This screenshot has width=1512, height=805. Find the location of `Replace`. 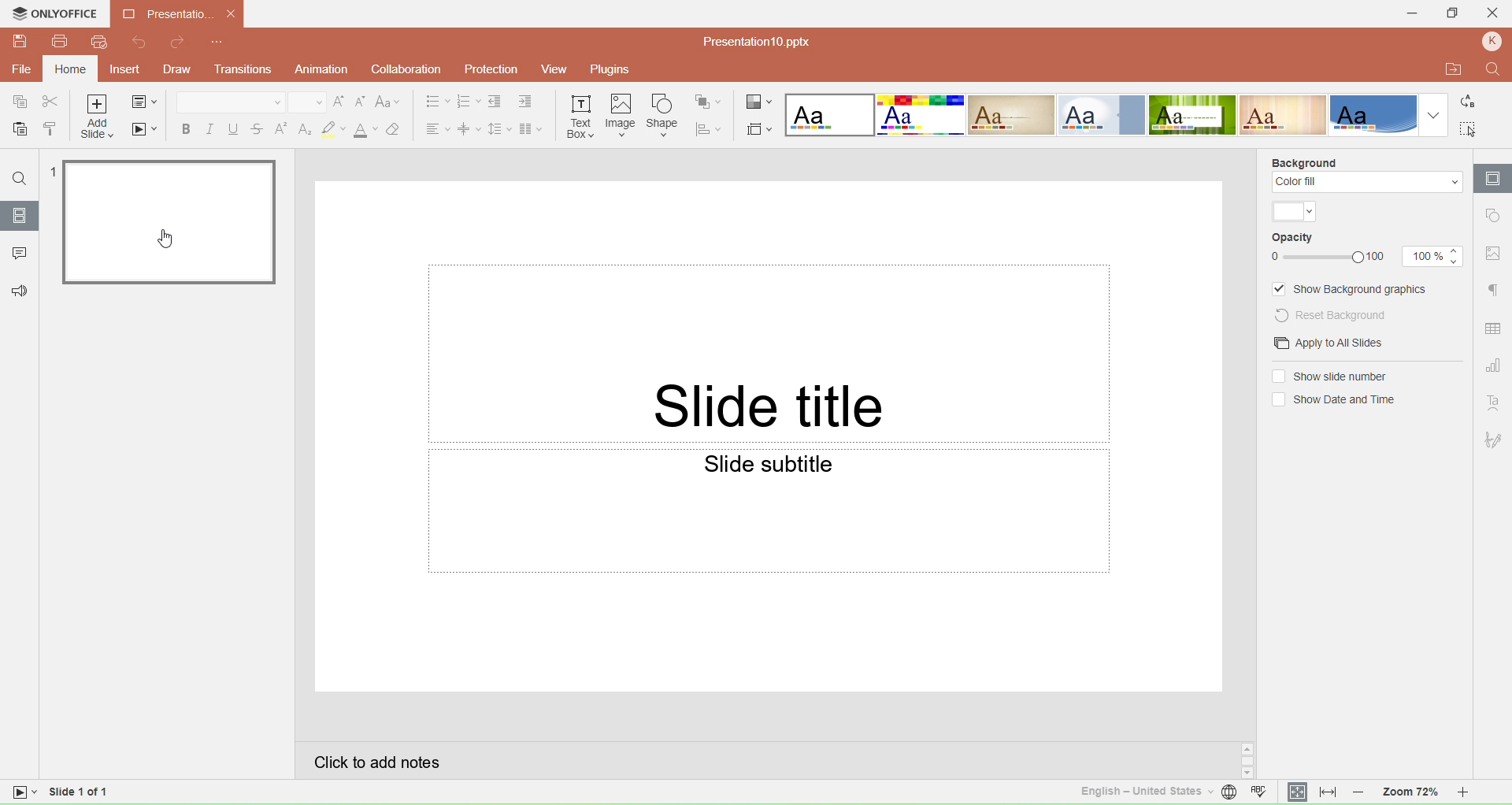

Replace is located at coordinates (1473, 103).